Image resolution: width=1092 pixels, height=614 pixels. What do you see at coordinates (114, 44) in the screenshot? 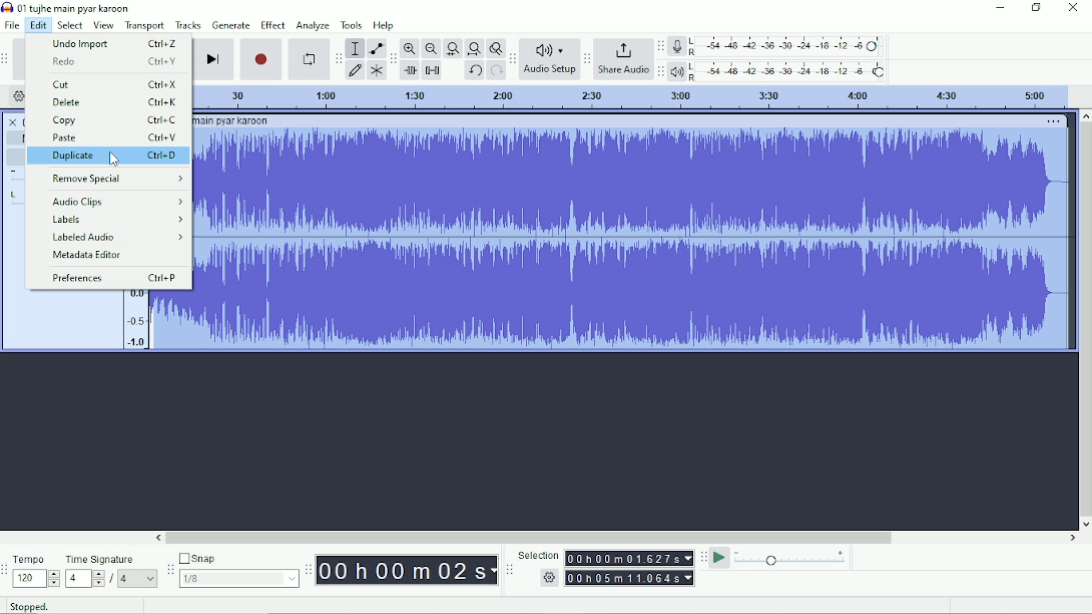
I see `Undo Import` at bounding box center [114, 44].